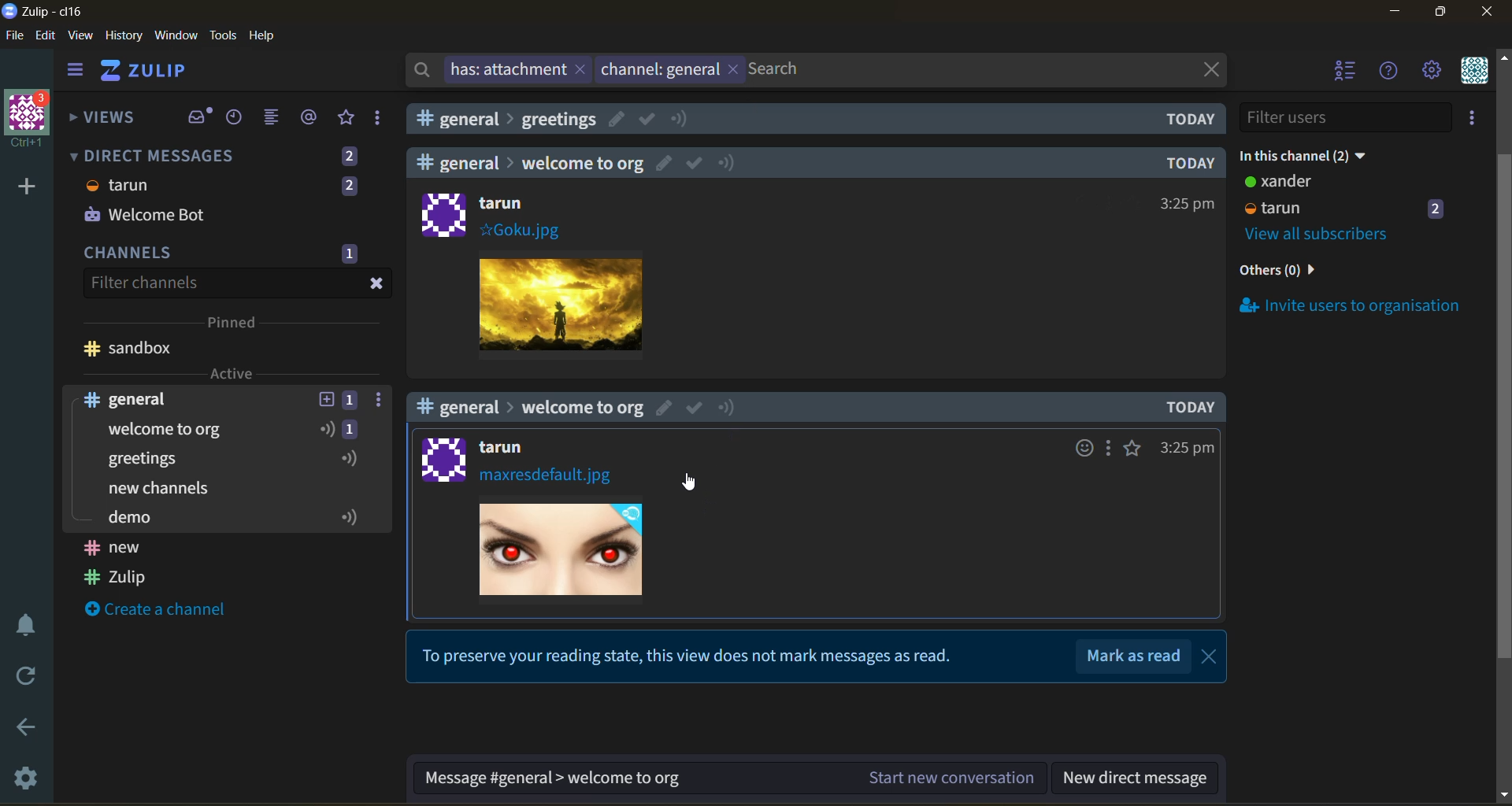 Image resolution: width=1512 pixels, height=806 pixels. What do you see at coordinates (1473, 117) in the screenshot?
I see `invite users to organisation` at bounding box center [1473, 117].